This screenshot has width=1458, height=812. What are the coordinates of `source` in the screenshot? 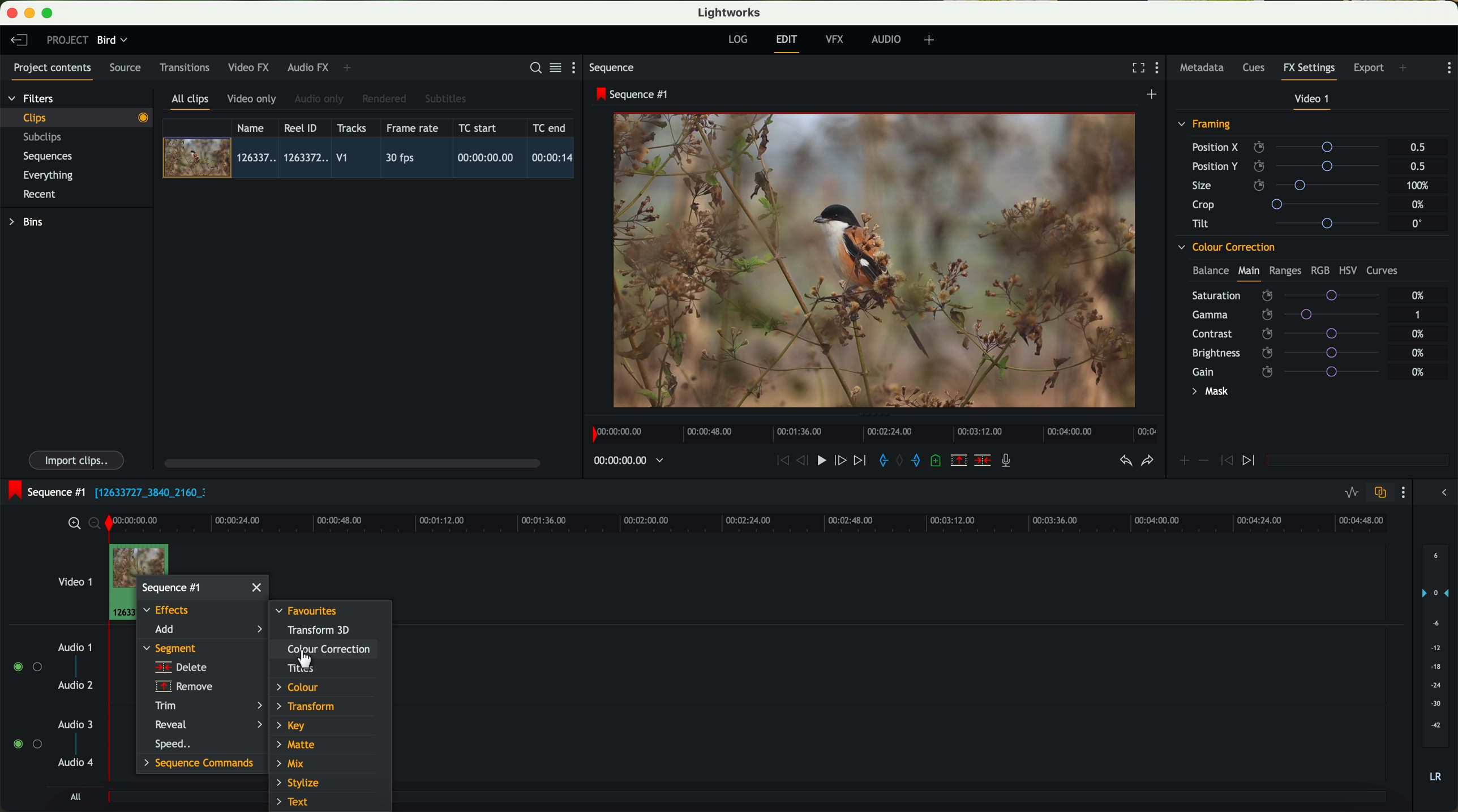 It's located at (125, 68).